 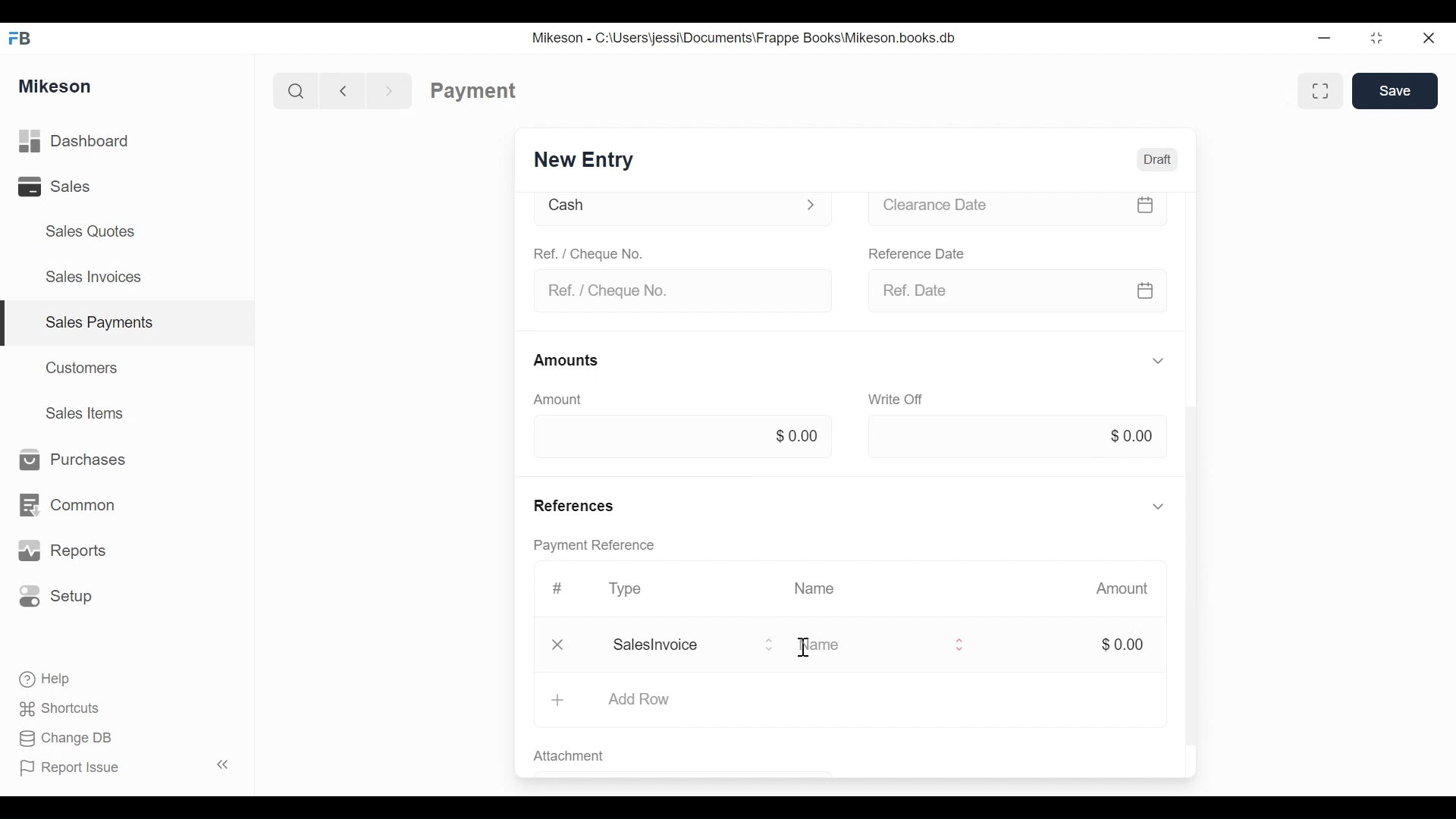 What do you see at coordinates (566, 360) in the screenshot?
I see `Amounts` at bounding box center [566, 360].